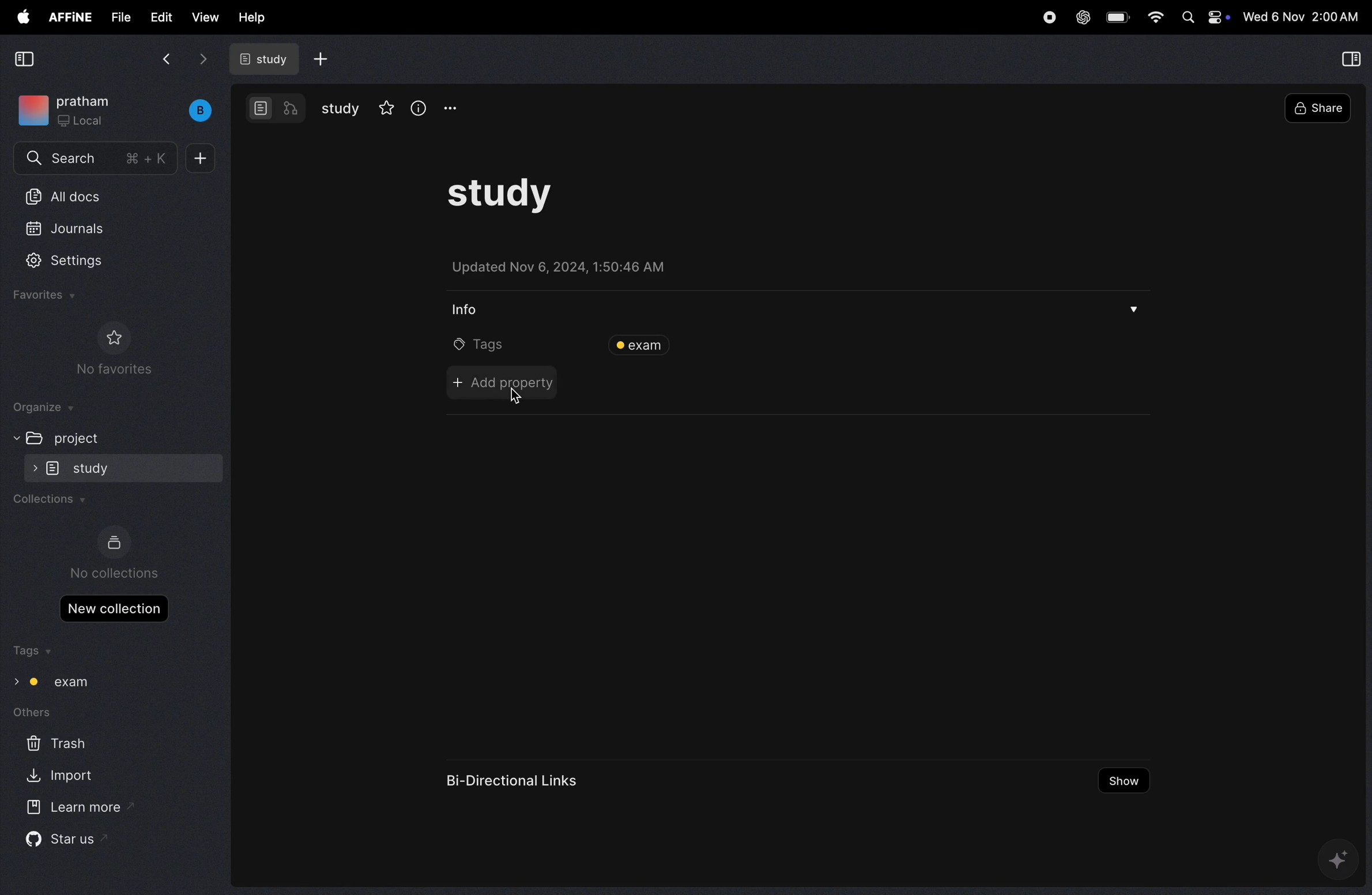 This screenshot has height=895, width=1372. Describe the element at coordinates (115, 611) in the screenshot. I see `new collections` at that location.